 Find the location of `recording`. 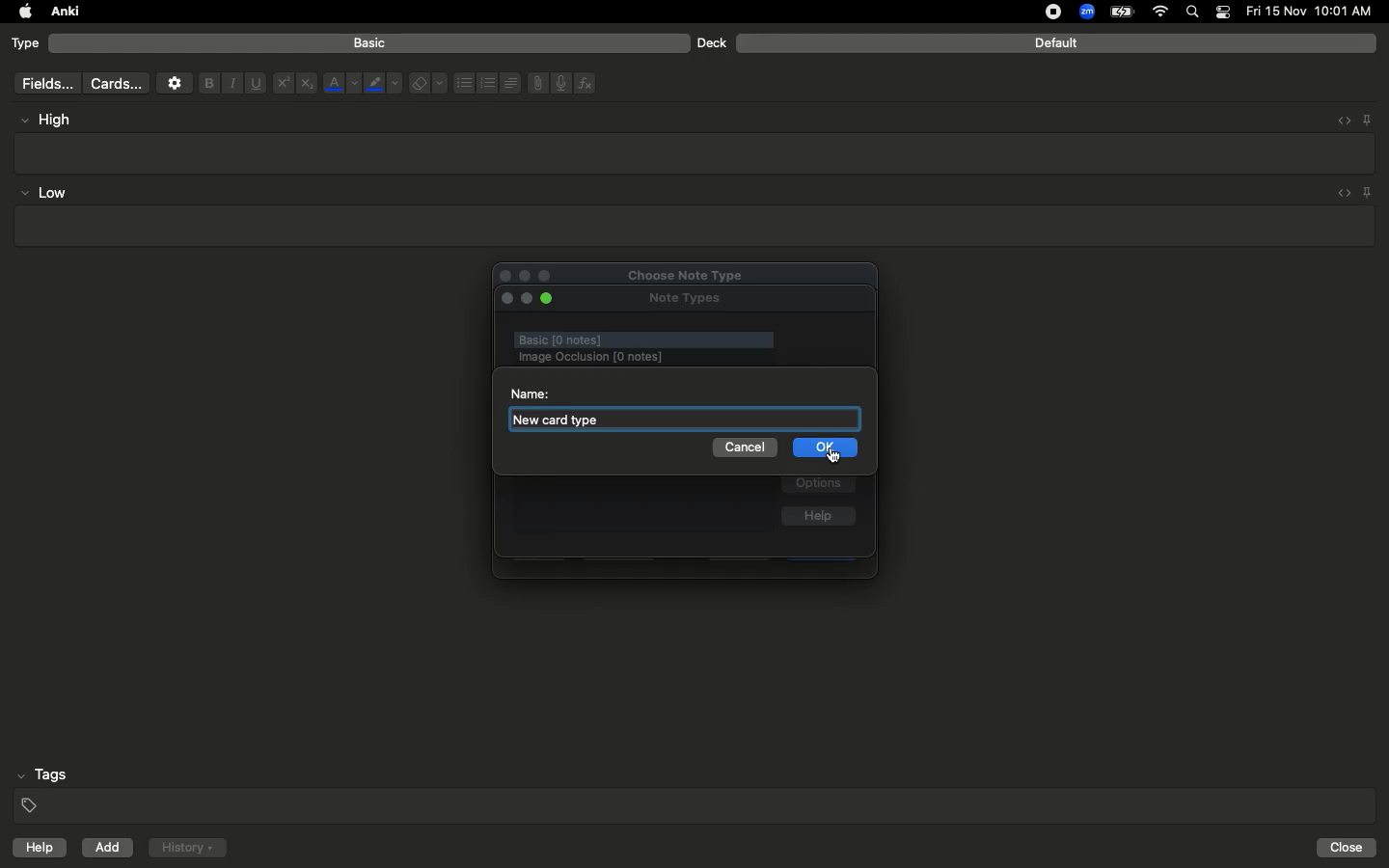

recording is located at coordinates (1042, 12).